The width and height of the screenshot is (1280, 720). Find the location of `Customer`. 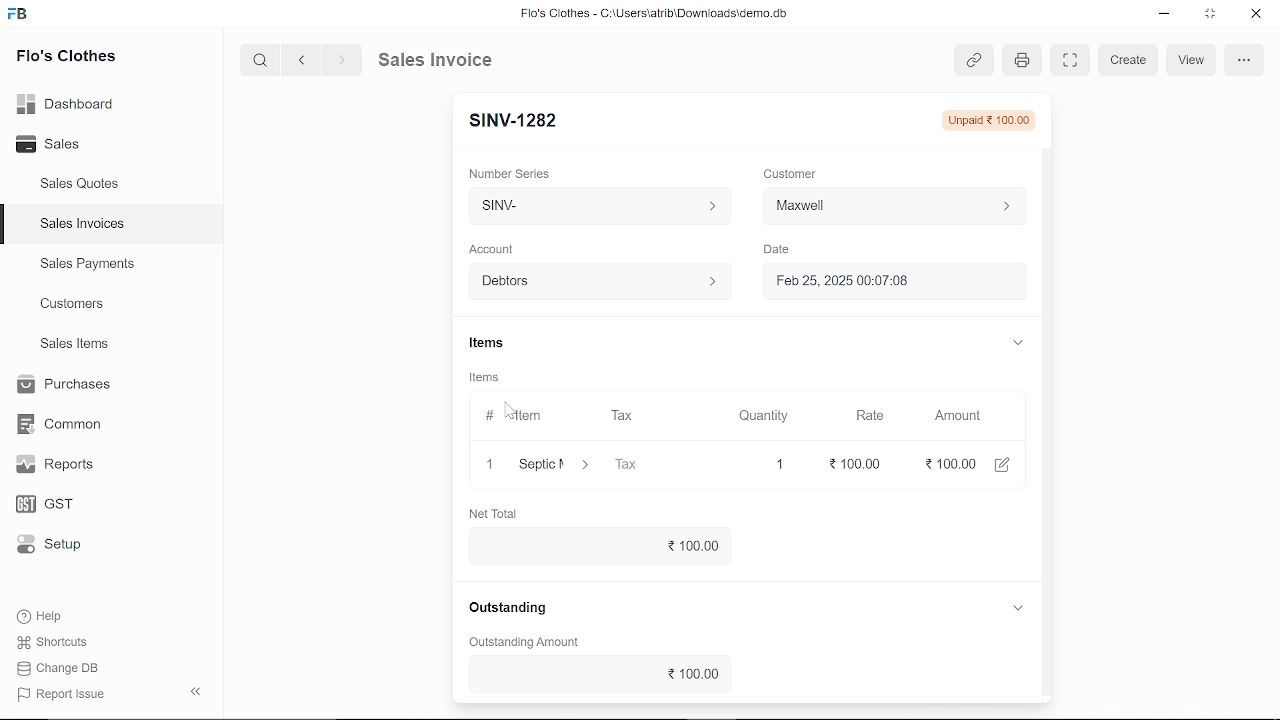

Customer is located at coordinates (790, 173).